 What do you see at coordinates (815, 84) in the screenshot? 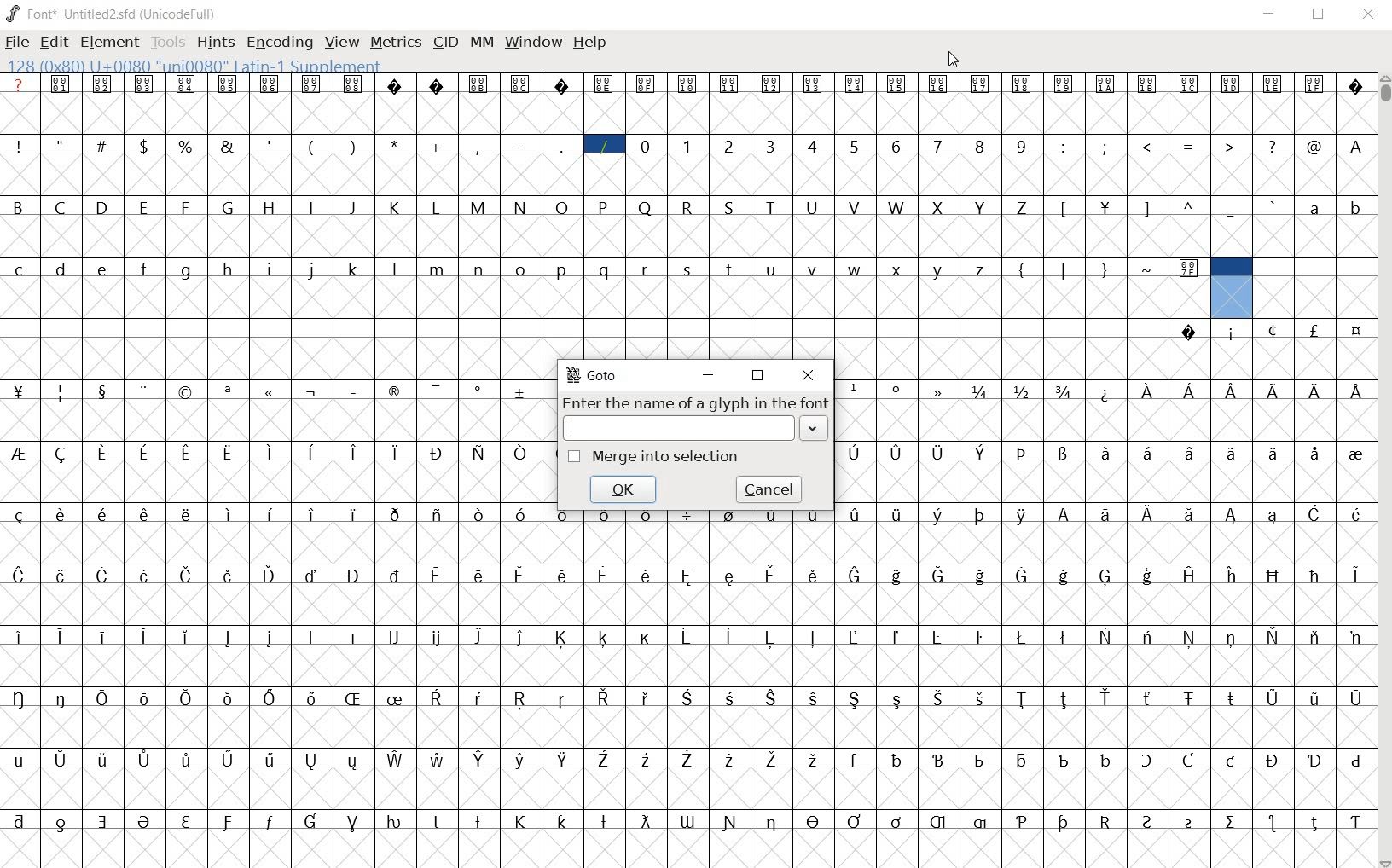
I see `Symbol` at bounding box center [815, 84].